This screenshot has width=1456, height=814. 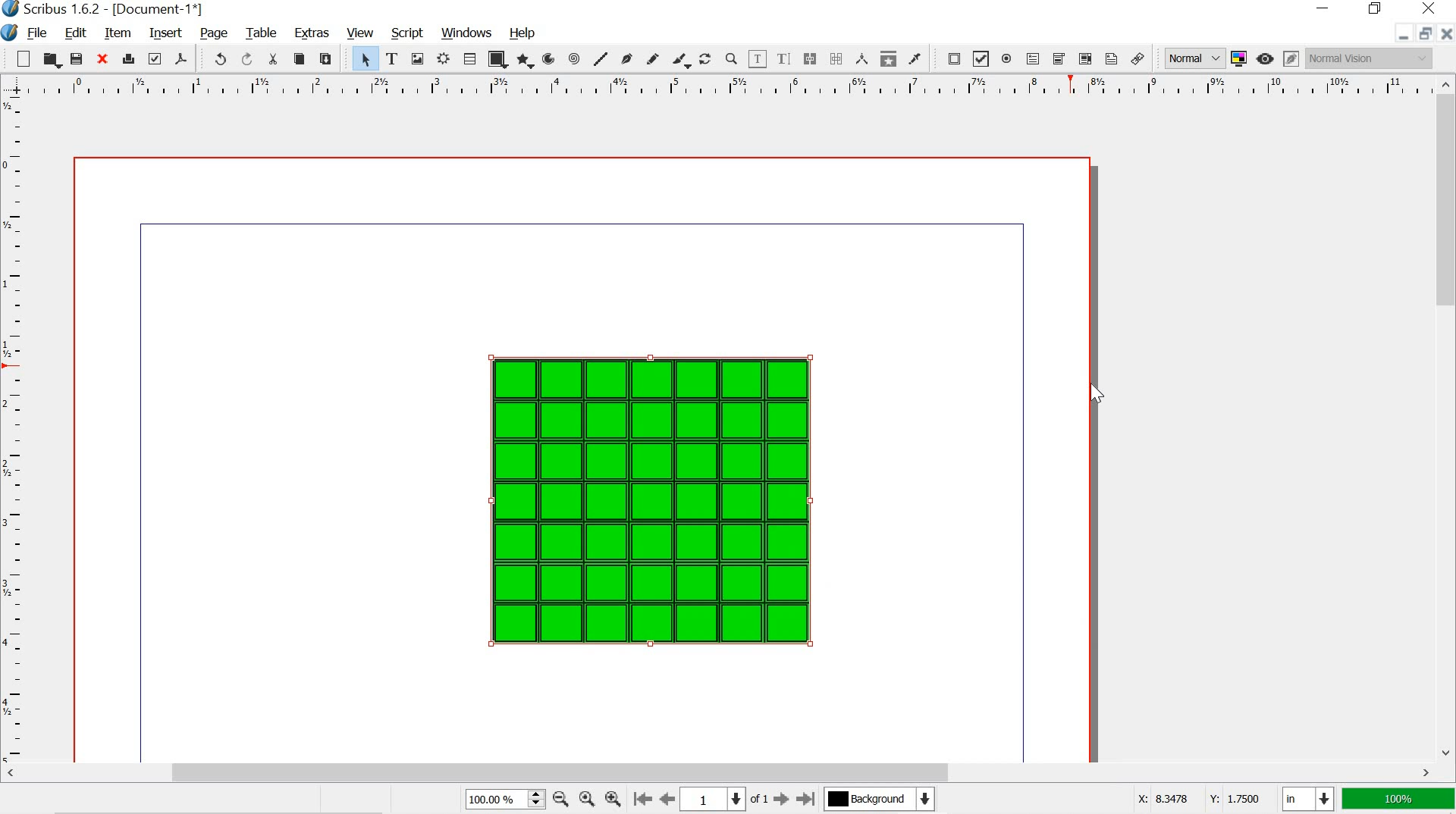 What do you see at coordinates (884, 799) in the screenshot?
I see `background` at bounding box center [884, 799].